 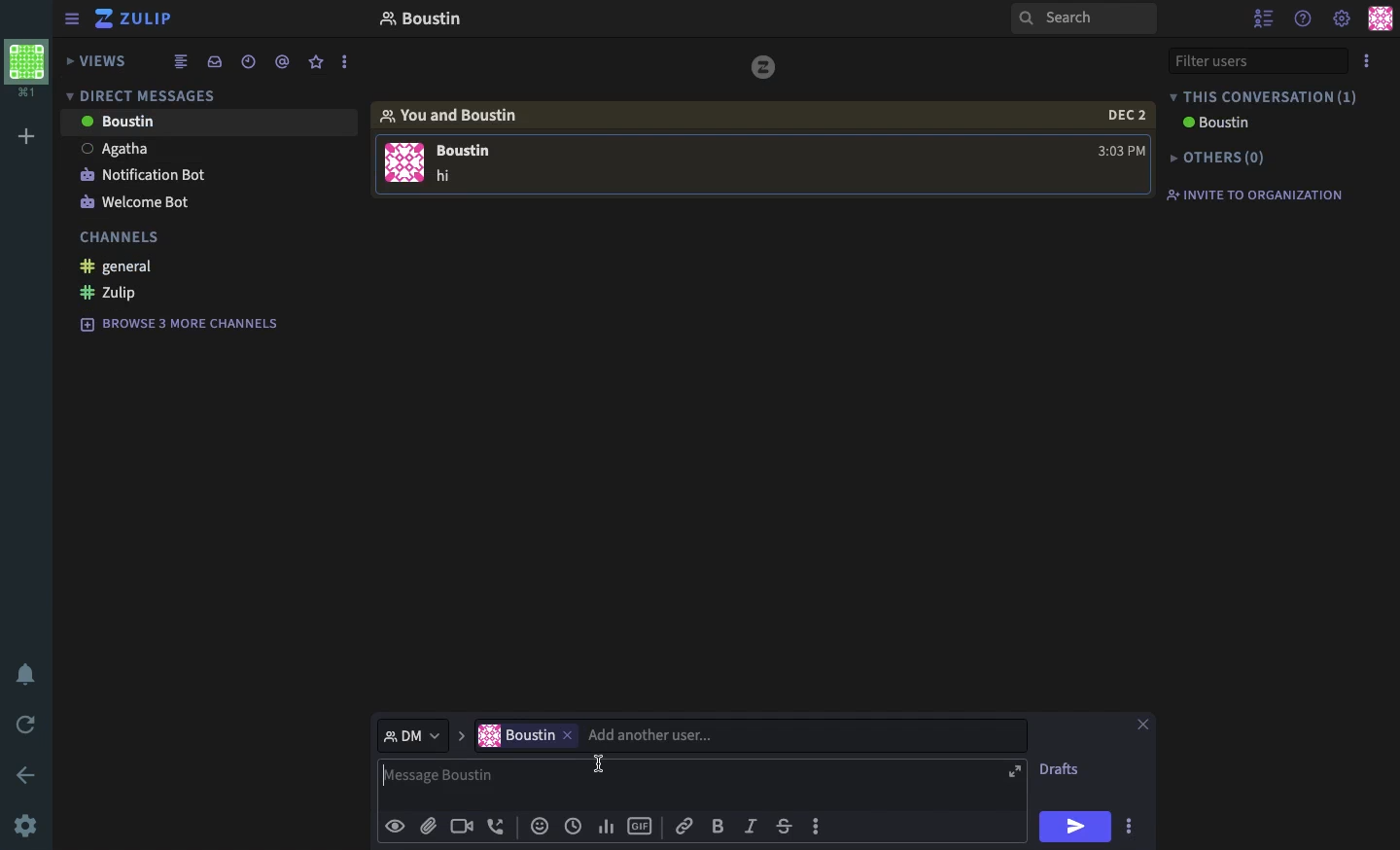 I want to click on video call, so click(x=460, y=826).